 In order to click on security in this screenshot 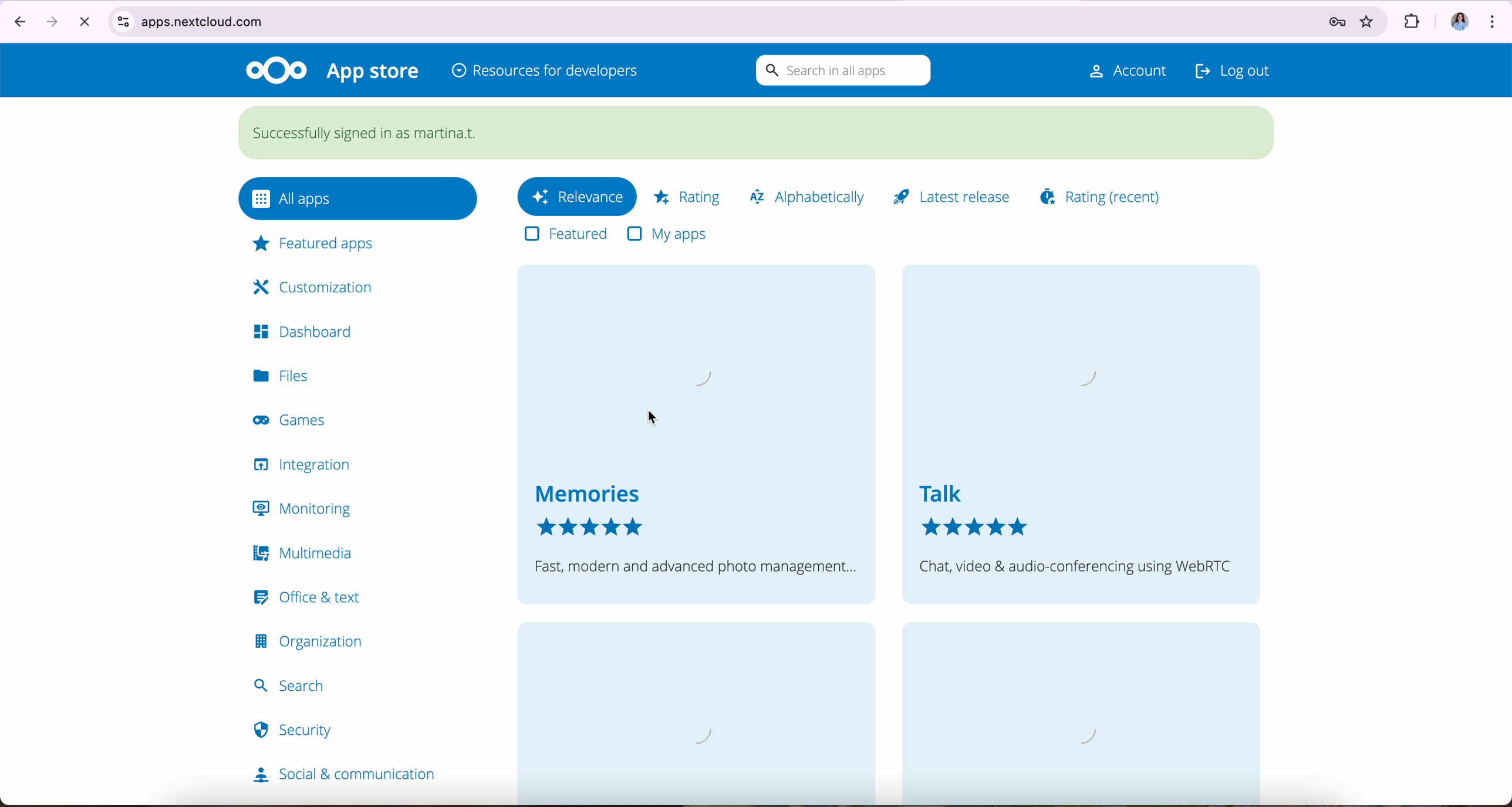, I will do `click(295, 737)`.